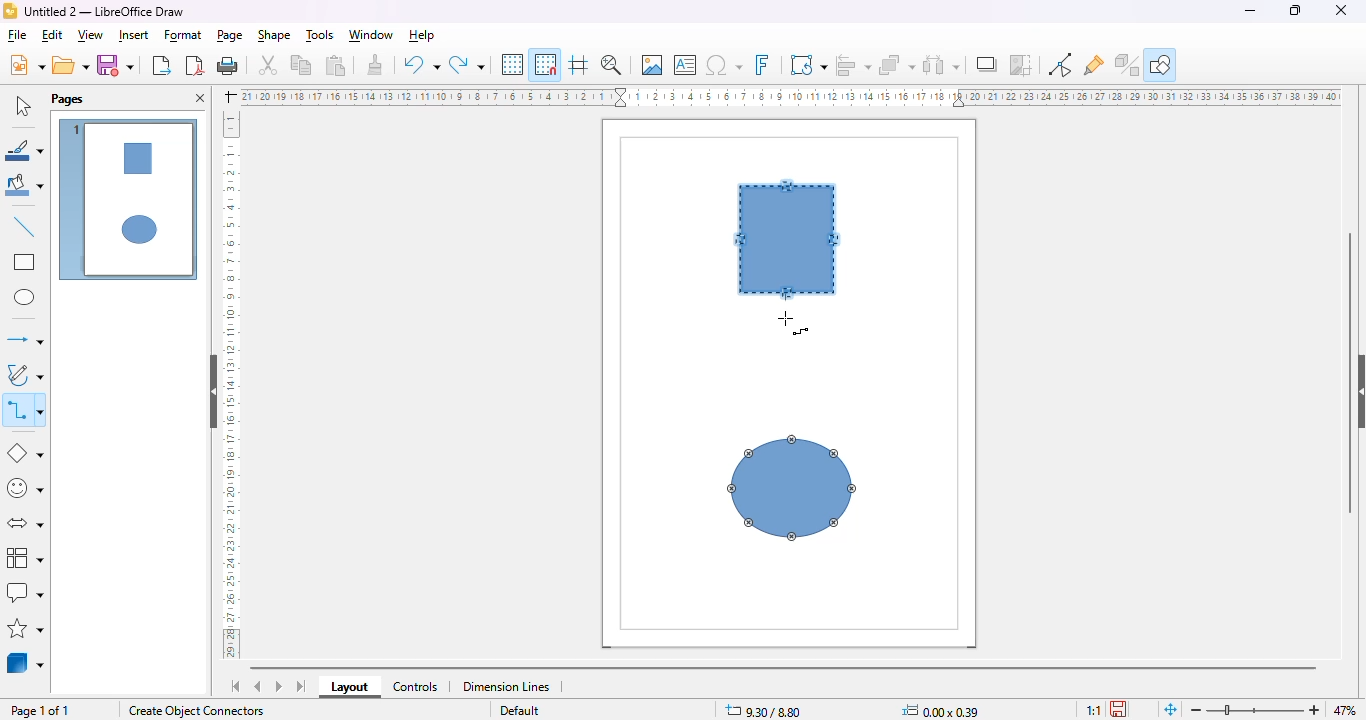  Describe the element at coordinates (25, 557) in the screenshot. I see `flowchart` at that location.